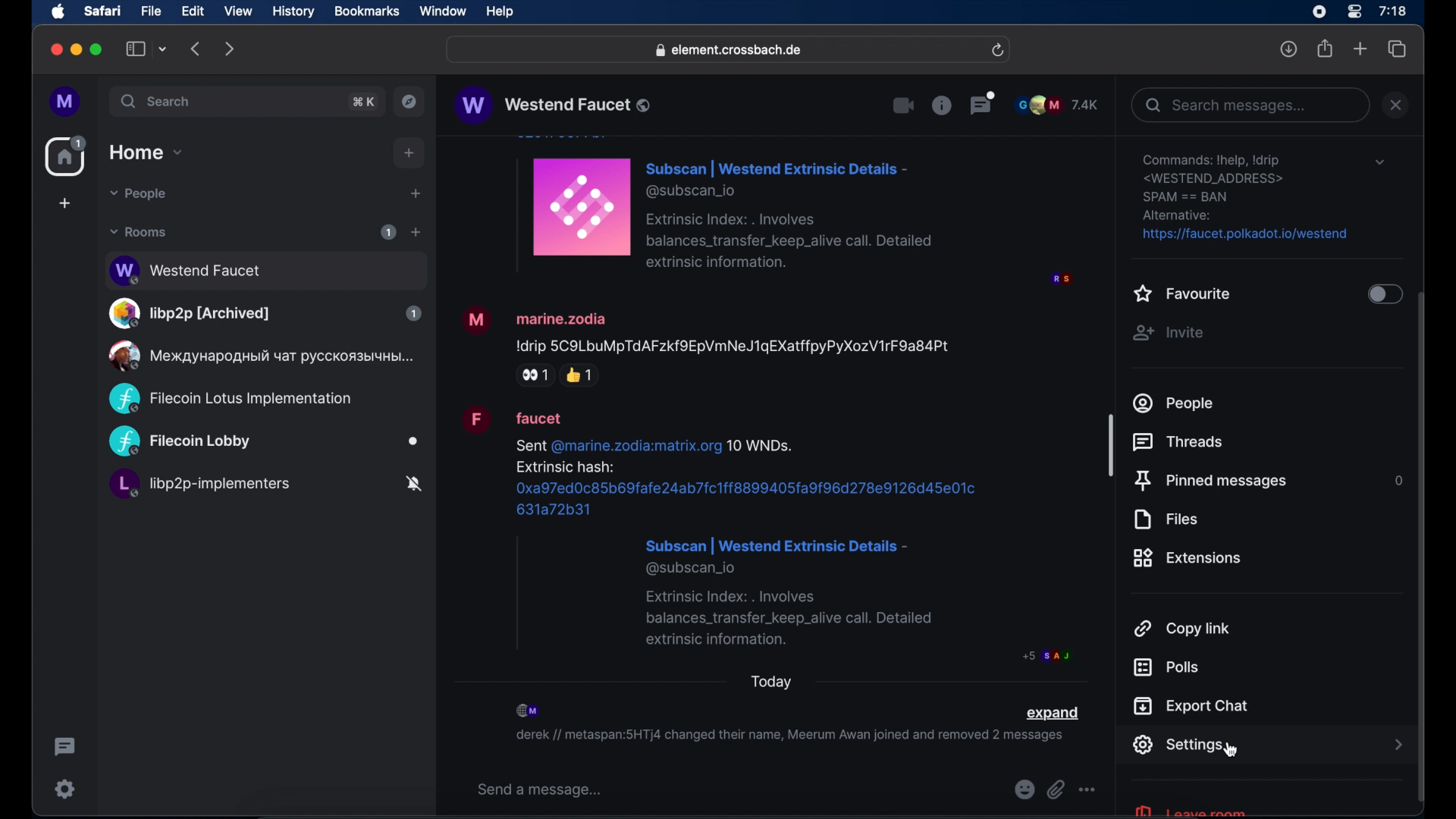 This screenshot has width=1456, height=819. I want to click on participants, so click(529, 711).